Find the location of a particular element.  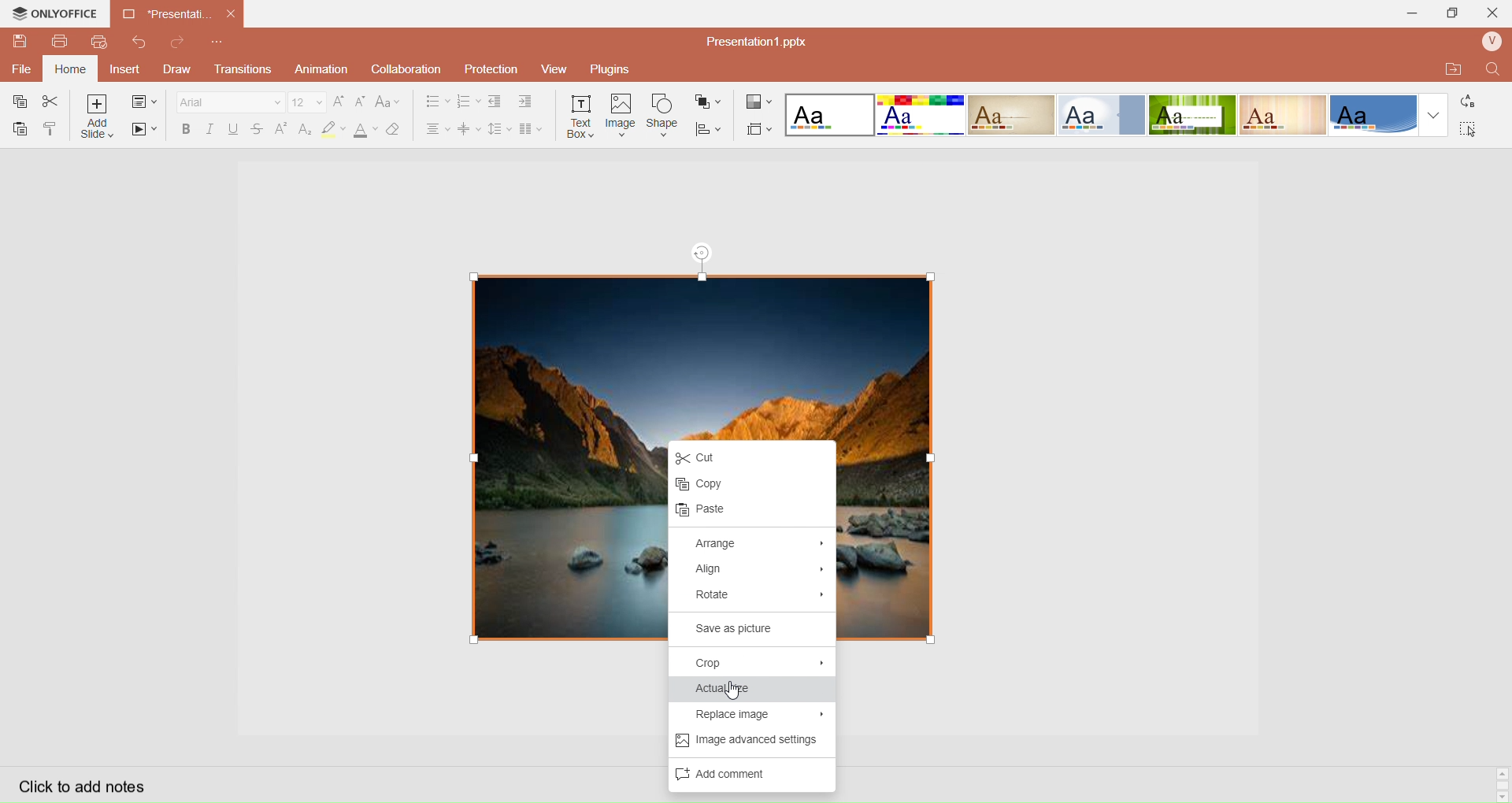

image is located at coordinates (705, 354).